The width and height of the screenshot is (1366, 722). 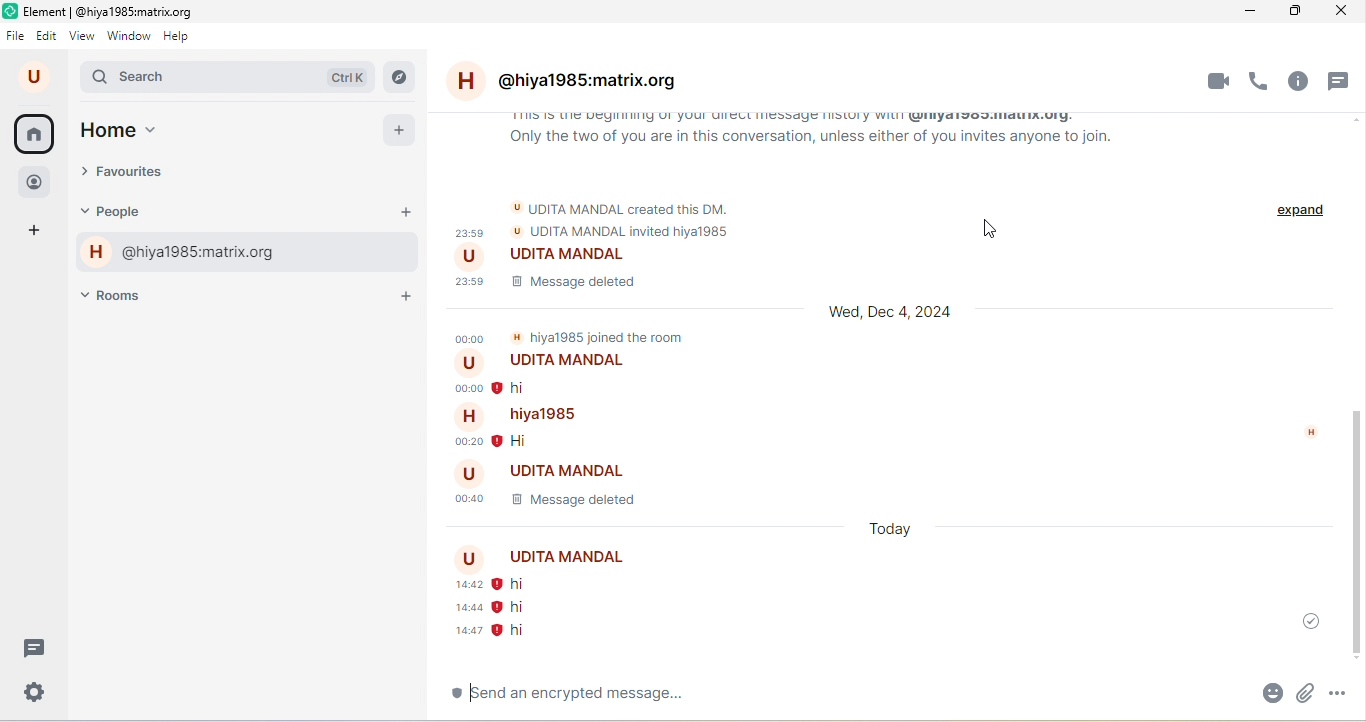 What do you see at coordinates (406, 213) in the screenshot?
I see `start a chat` at bounding box center [406, 213].